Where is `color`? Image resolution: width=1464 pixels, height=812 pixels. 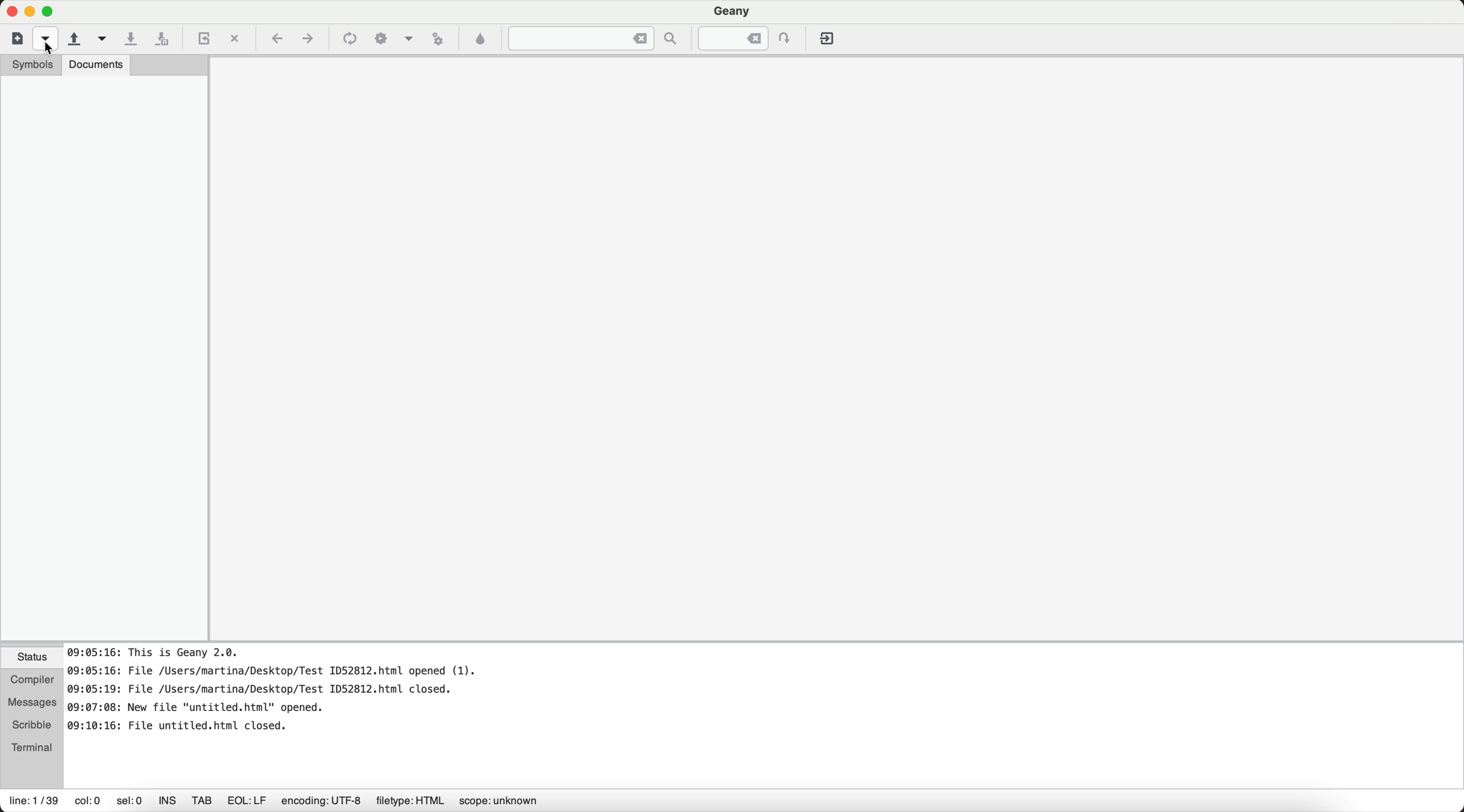 color is located at coordinates (479, 38).